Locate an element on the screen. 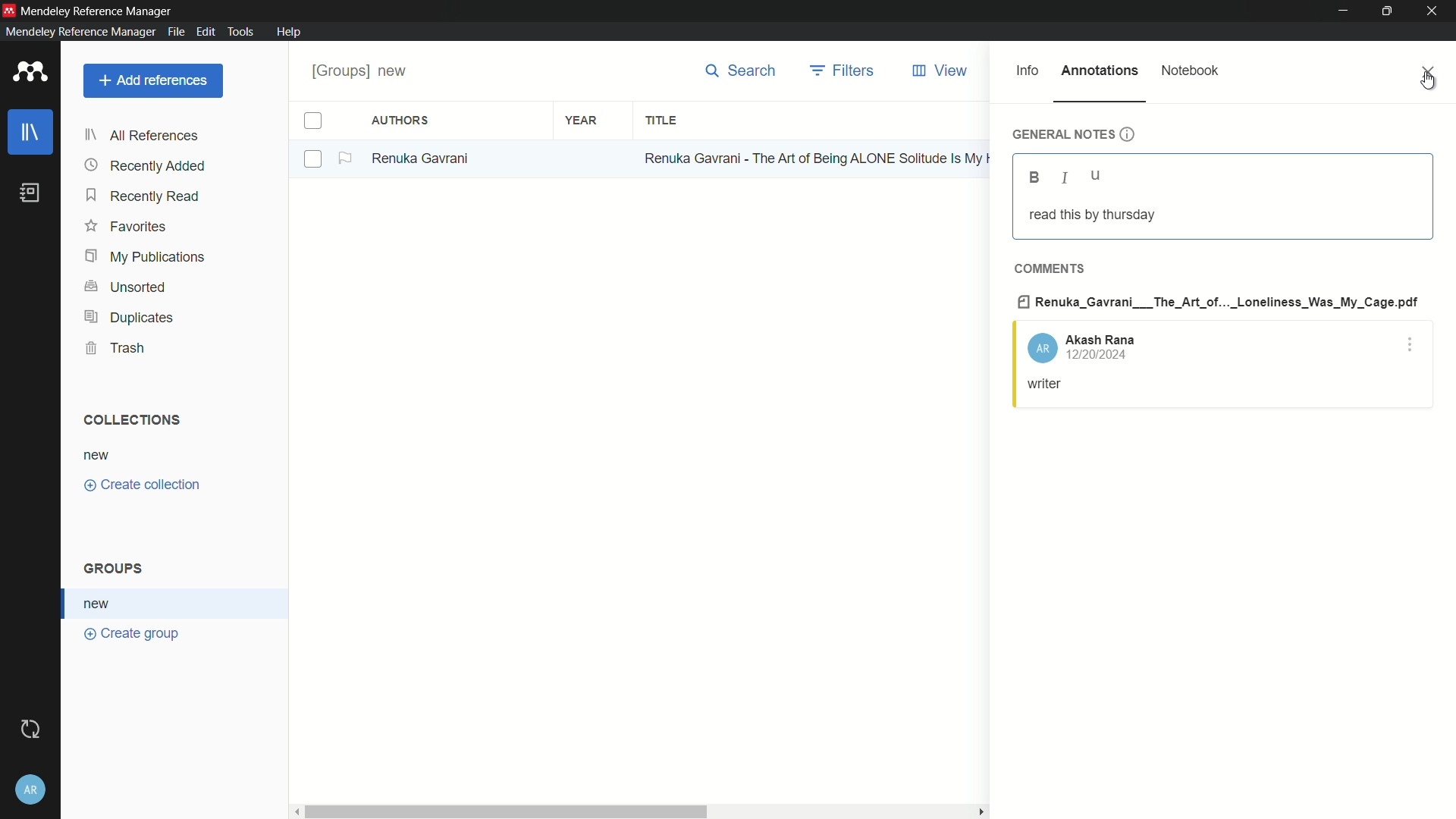 This screenshot has height=819, width=1456. Renuka Gaurani is located at coordinates (426, 158).